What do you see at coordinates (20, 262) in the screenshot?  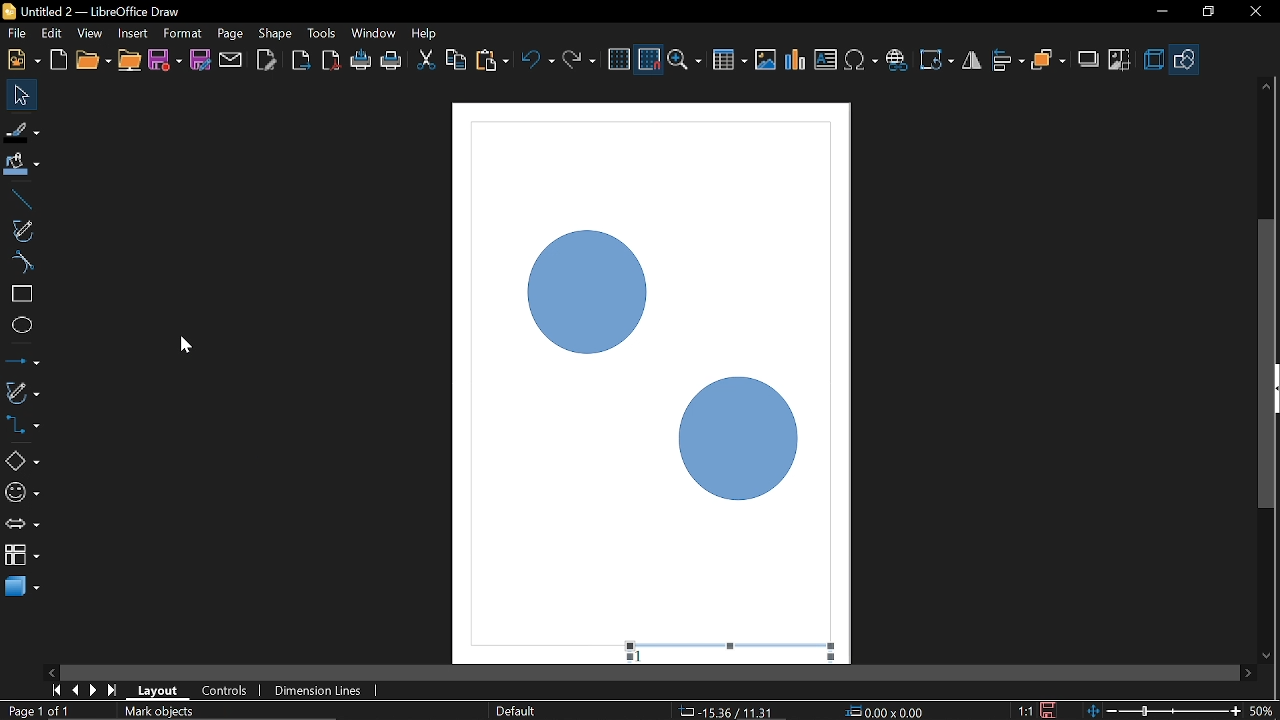 I see `curve` at bounding box center [20, 262].